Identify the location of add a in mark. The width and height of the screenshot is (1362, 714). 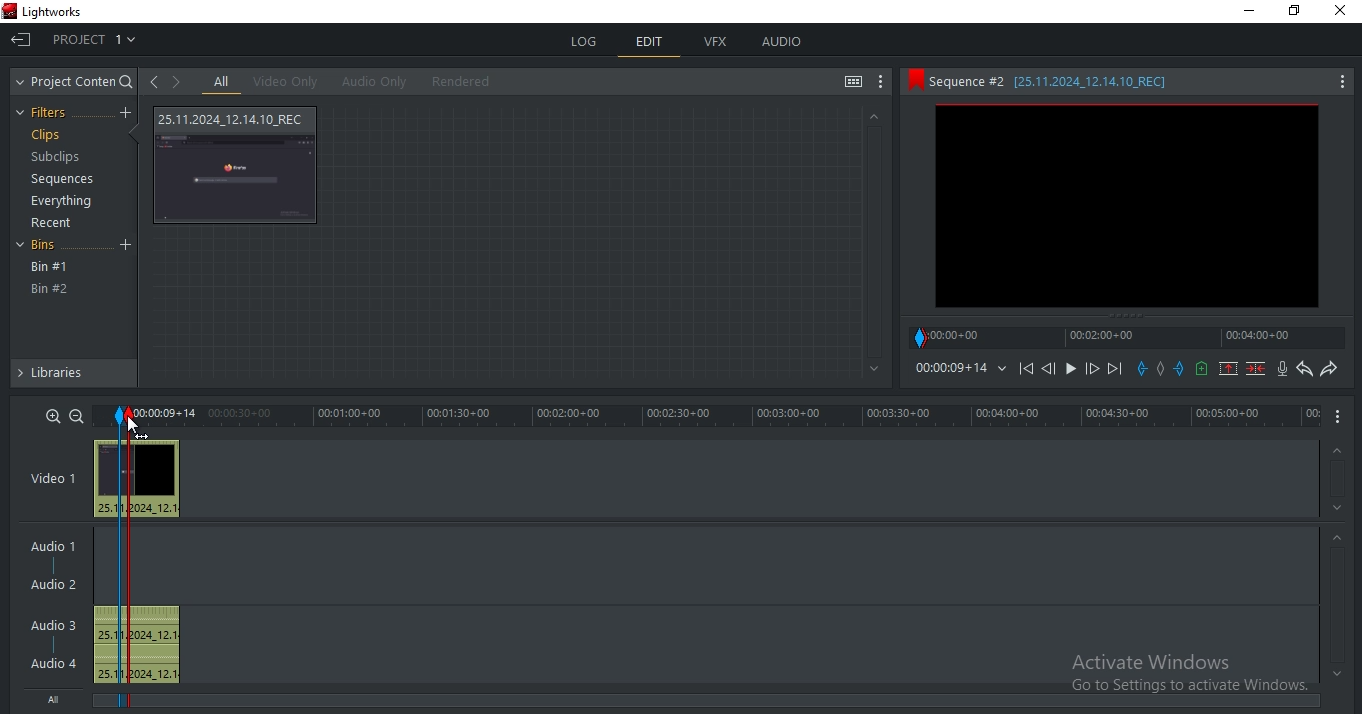
(1143, 369).